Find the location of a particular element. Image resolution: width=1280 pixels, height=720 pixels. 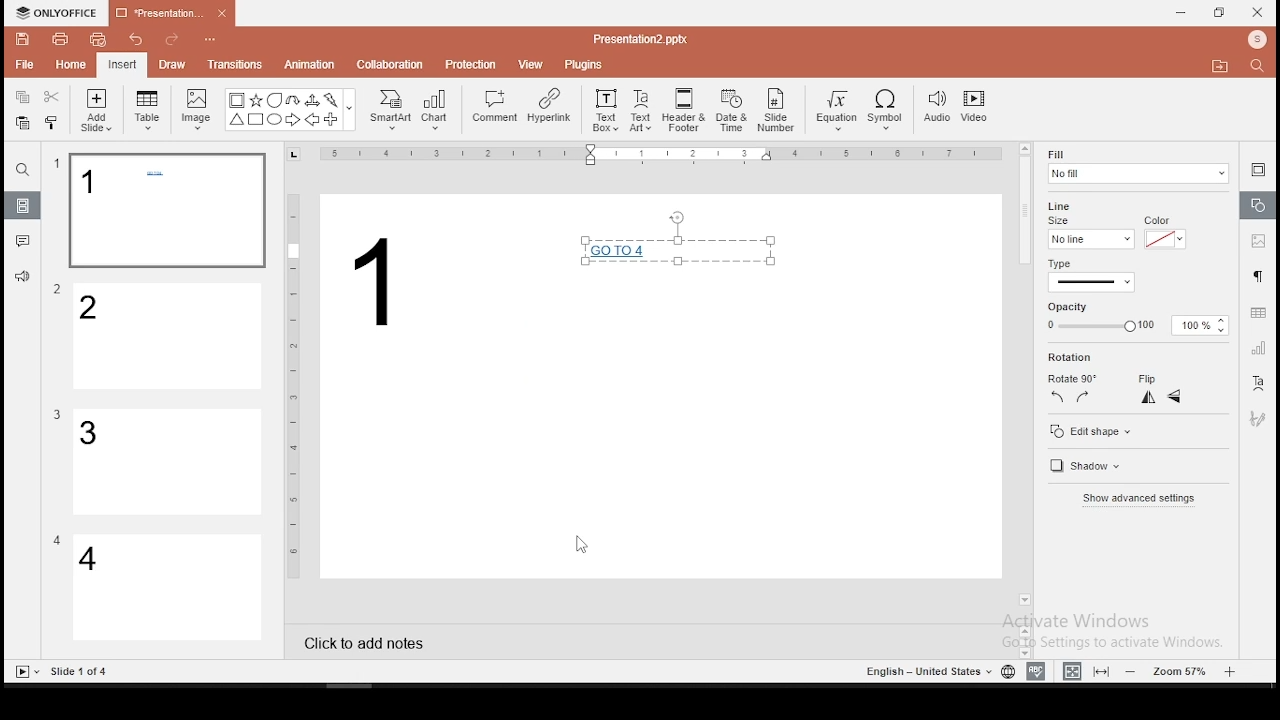

Profile is located at coordinates (1259, 40).